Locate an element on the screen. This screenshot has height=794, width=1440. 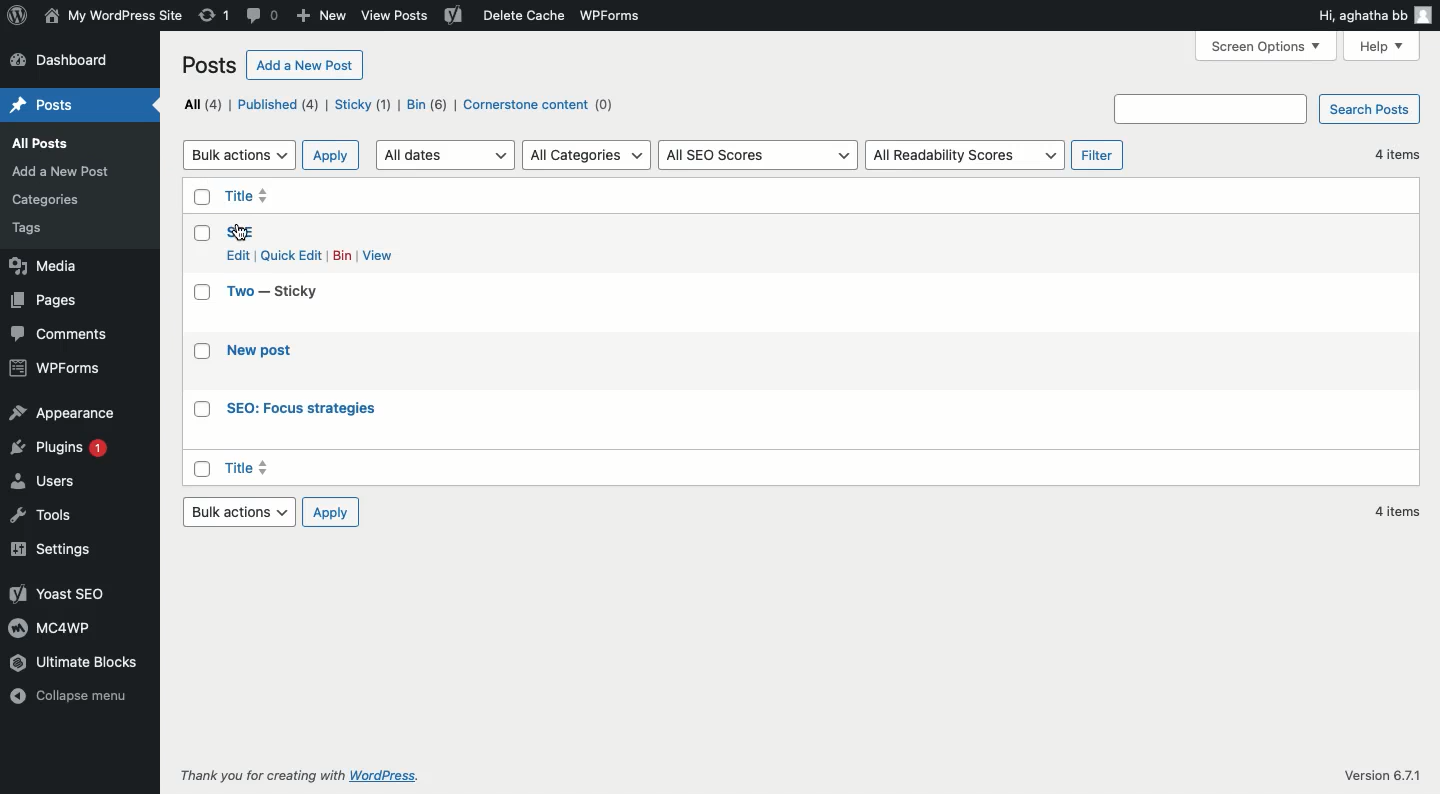
Search posts is located at coordinates (1267, 109).